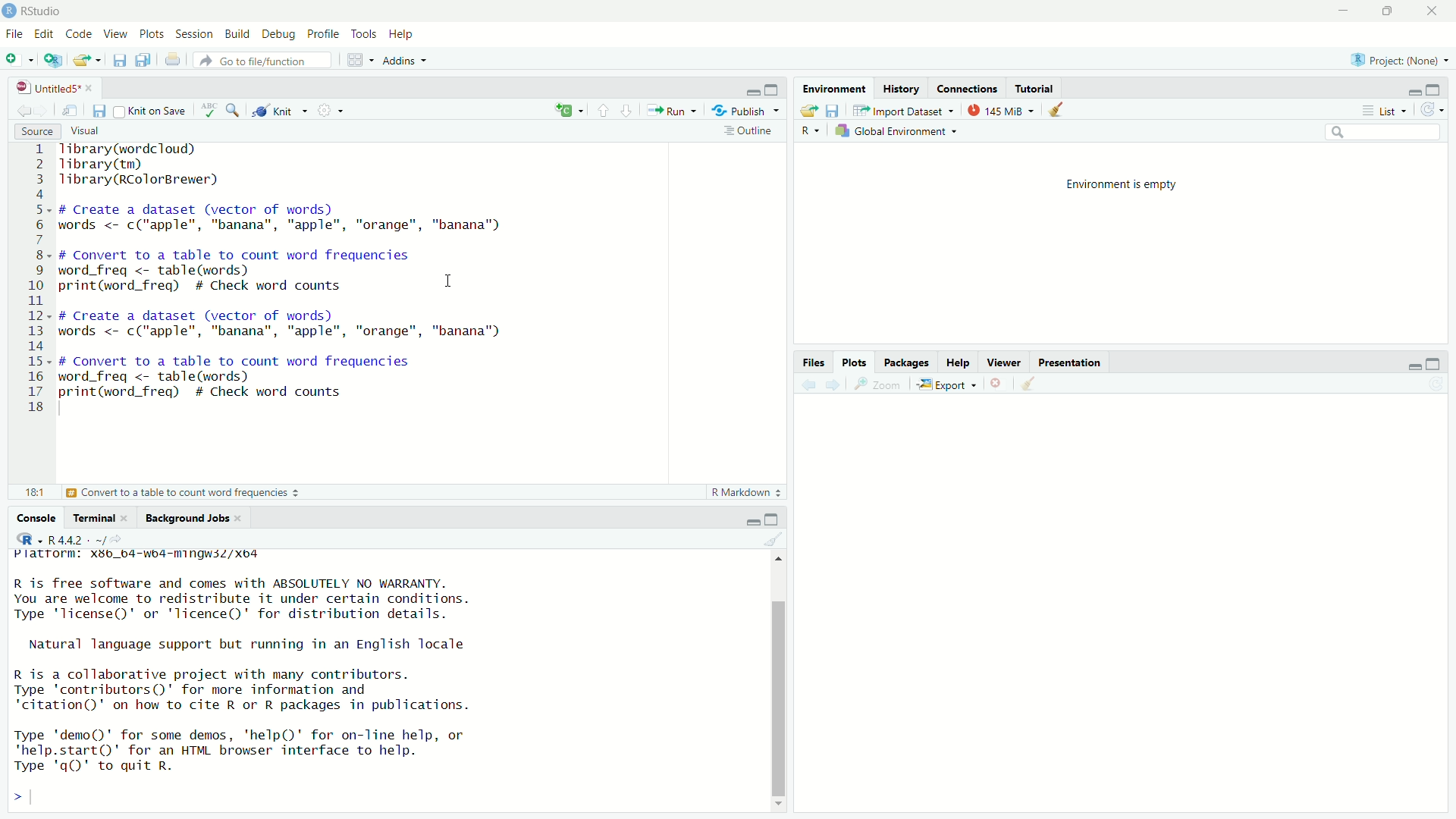  What do you see at coordinates (97, 111) in the screenshot?
I see `Save` at bounding box center [97, 111].